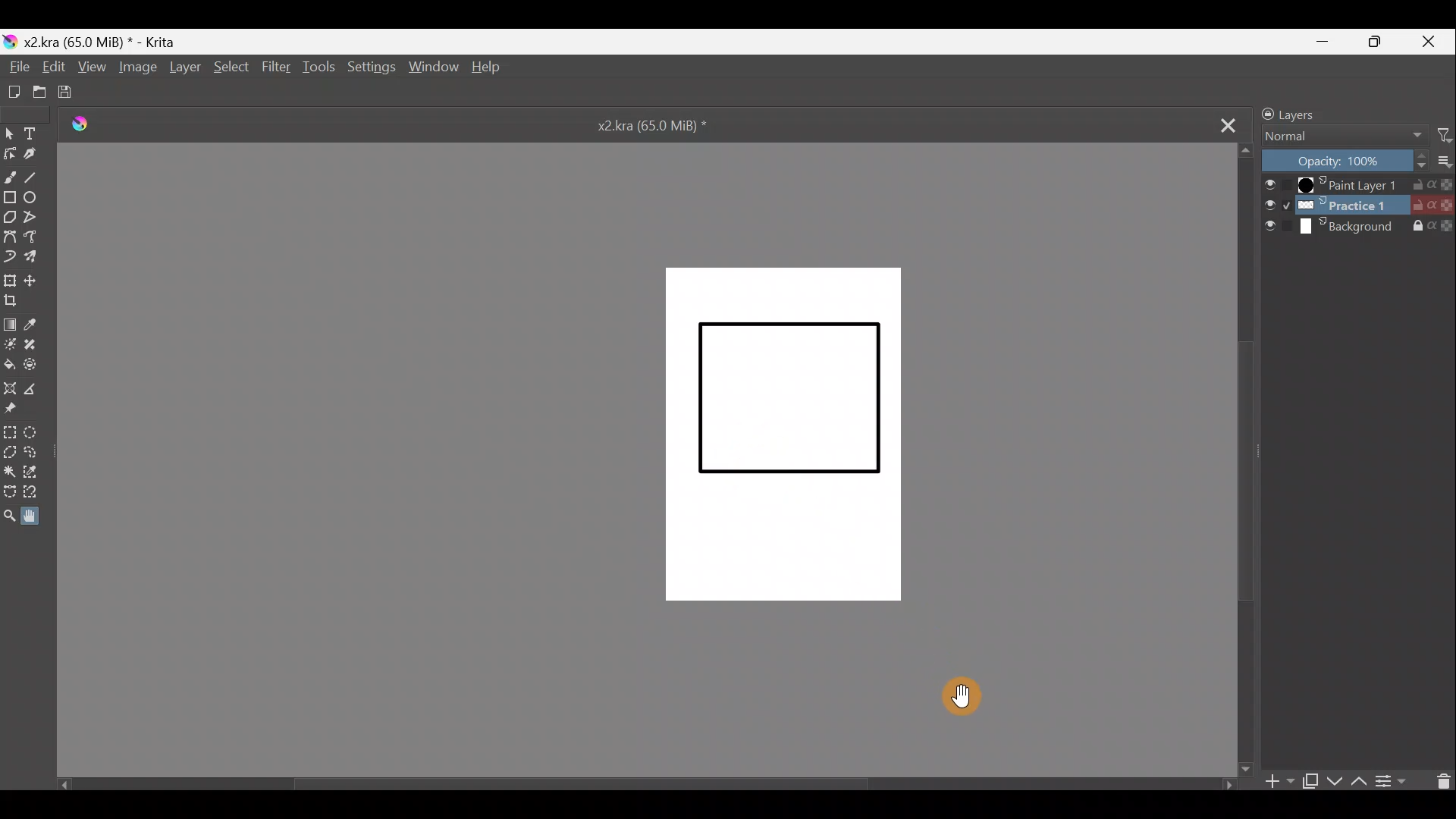 The image size is (1456, 819). I want to click on Lock/unlock docker, so click(1263, 113).